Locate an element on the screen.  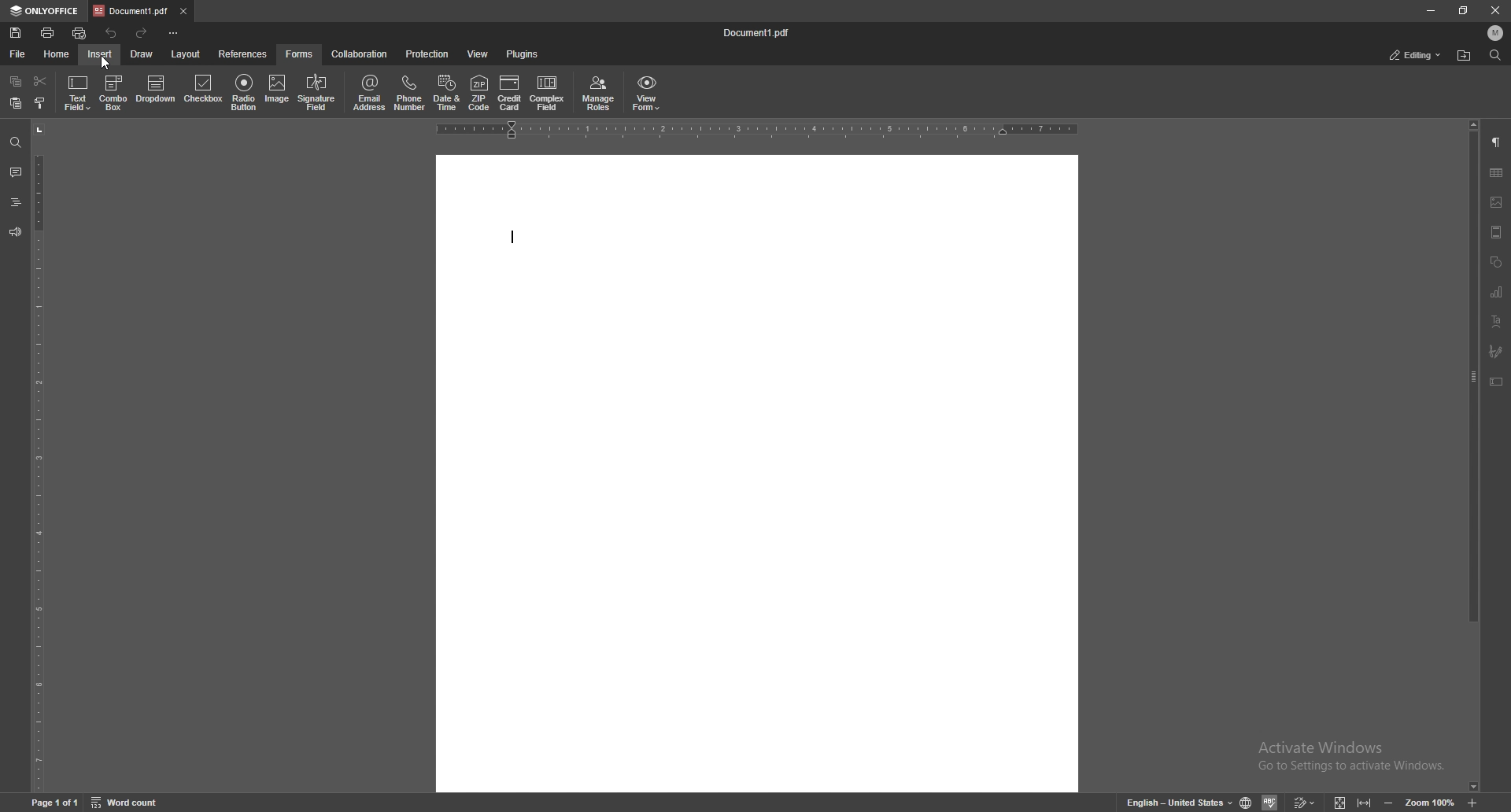
view form is located at coordinates (647, 94).